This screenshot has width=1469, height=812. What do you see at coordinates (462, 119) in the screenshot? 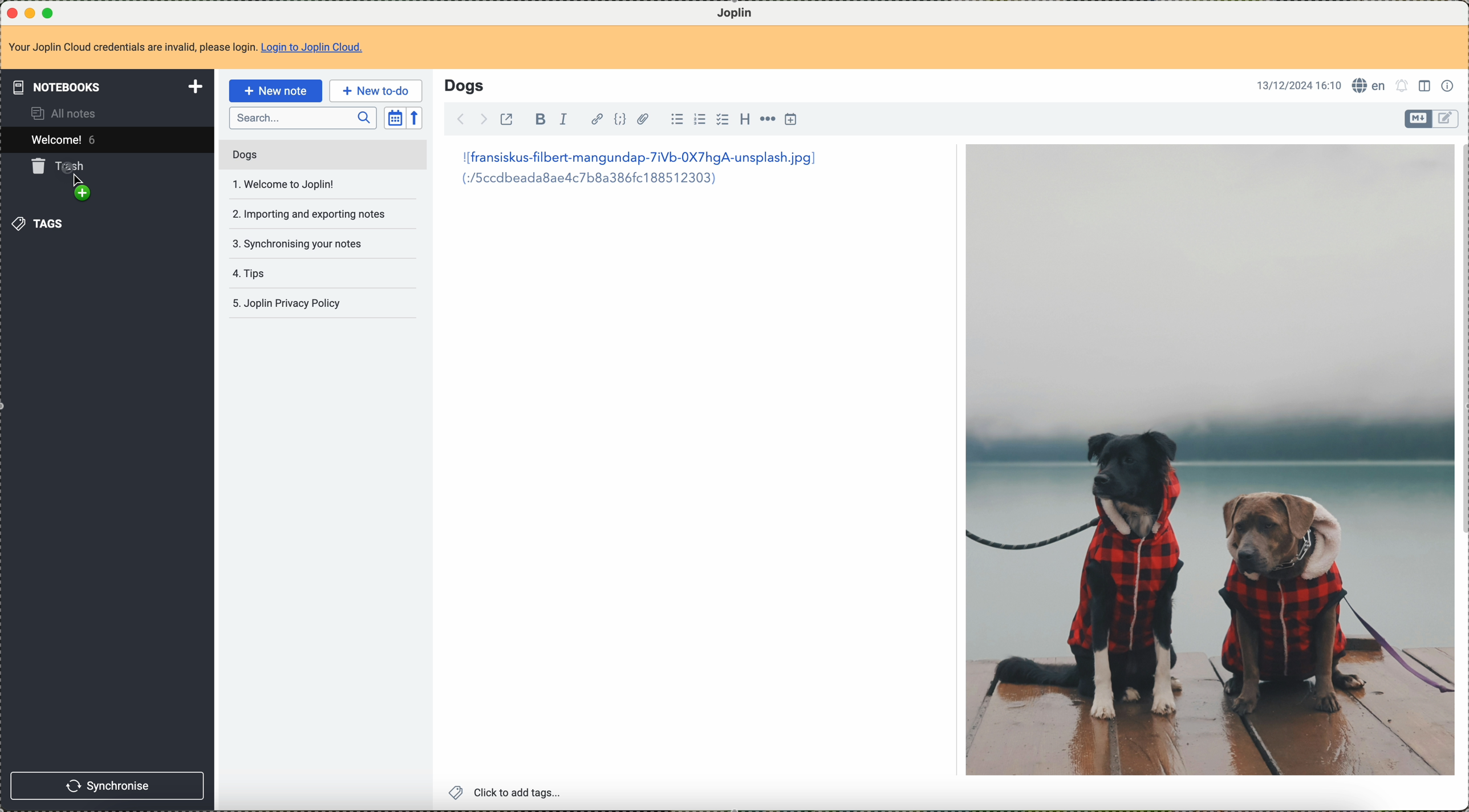
I see `back` at bounding box center [462, 119].